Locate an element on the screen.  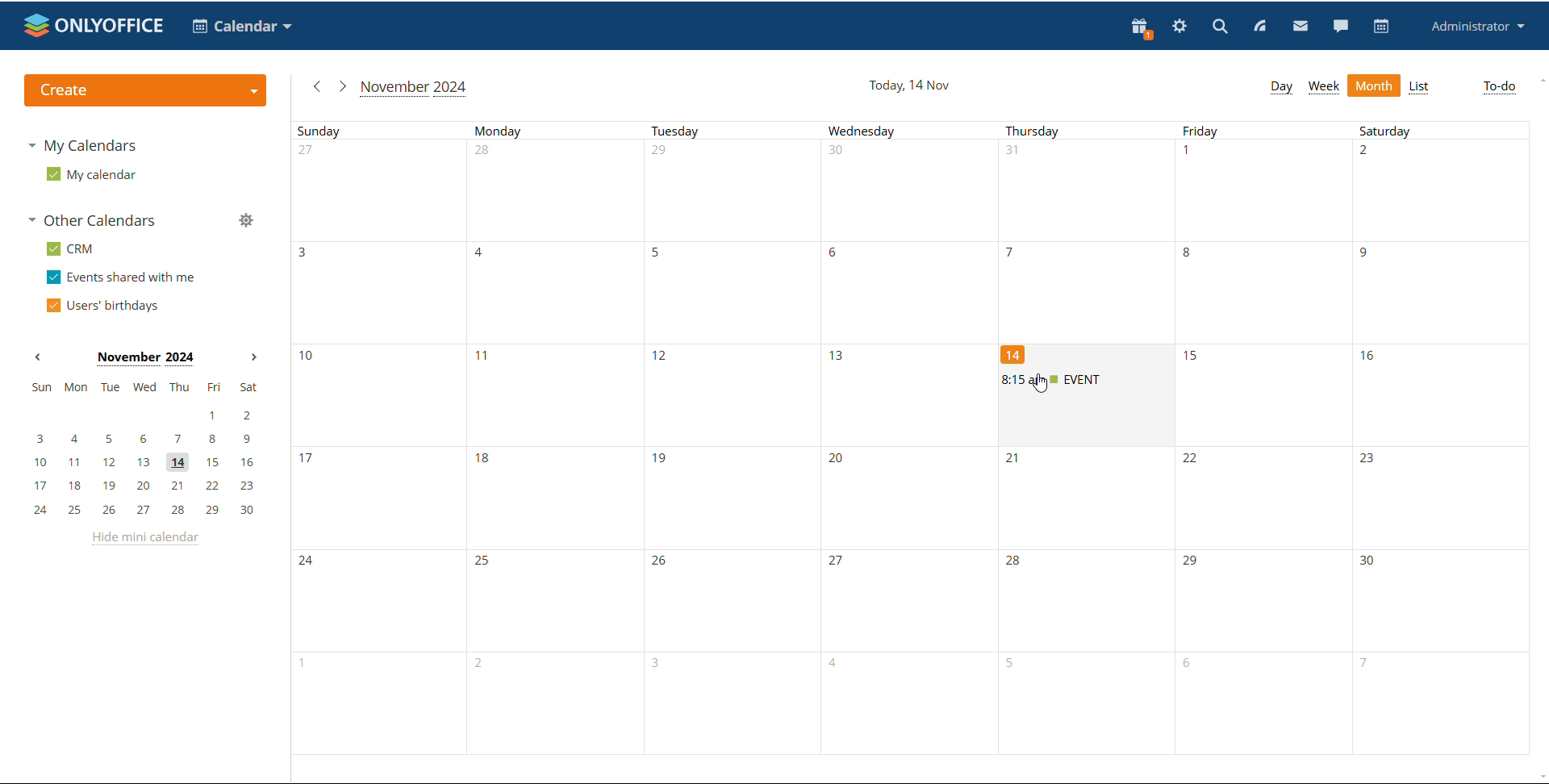
crm is located at coordinates (70, 250).